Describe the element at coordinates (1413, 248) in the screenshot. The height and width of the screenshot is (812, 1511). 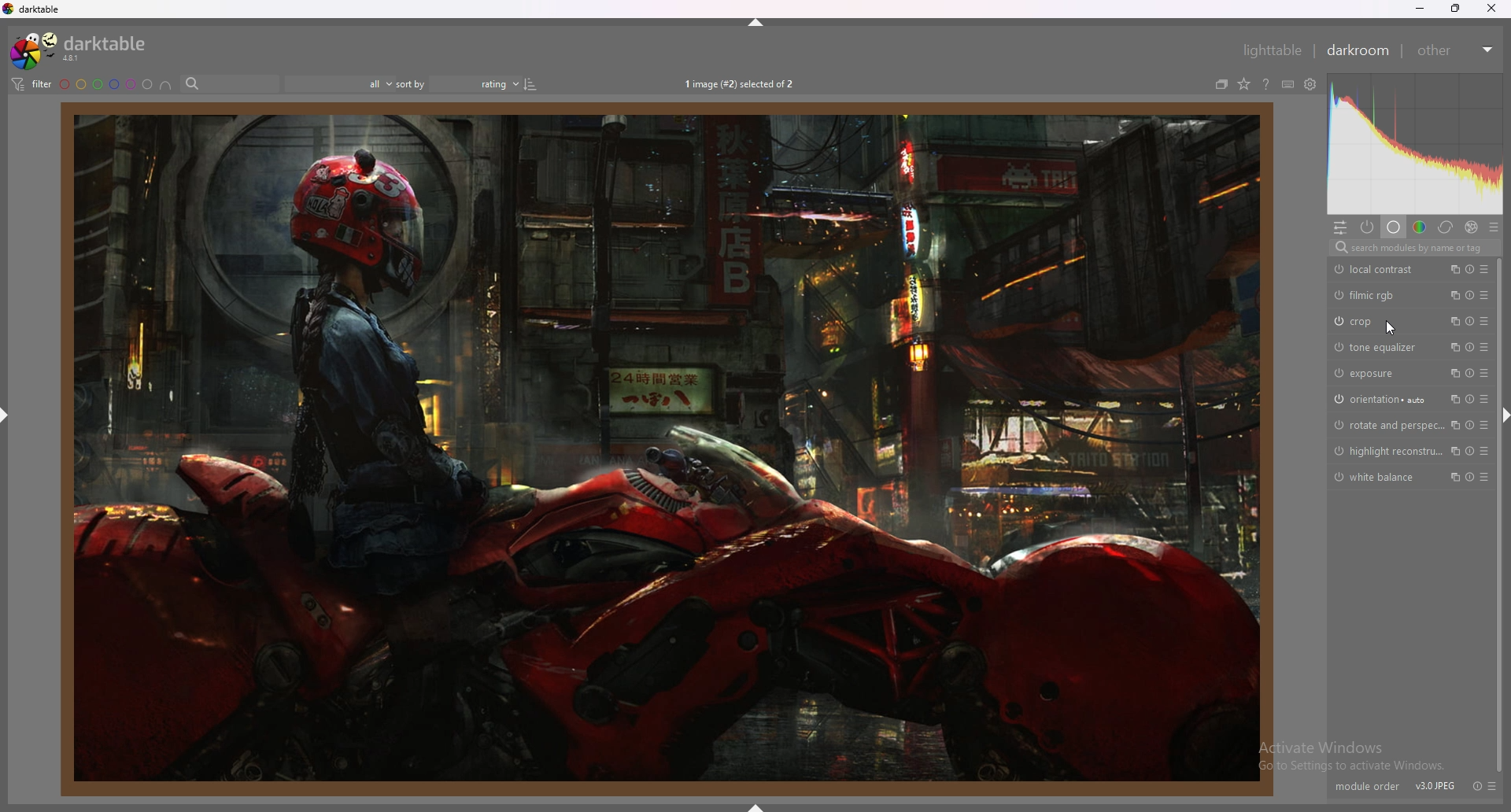
I see `search modules` at that location.